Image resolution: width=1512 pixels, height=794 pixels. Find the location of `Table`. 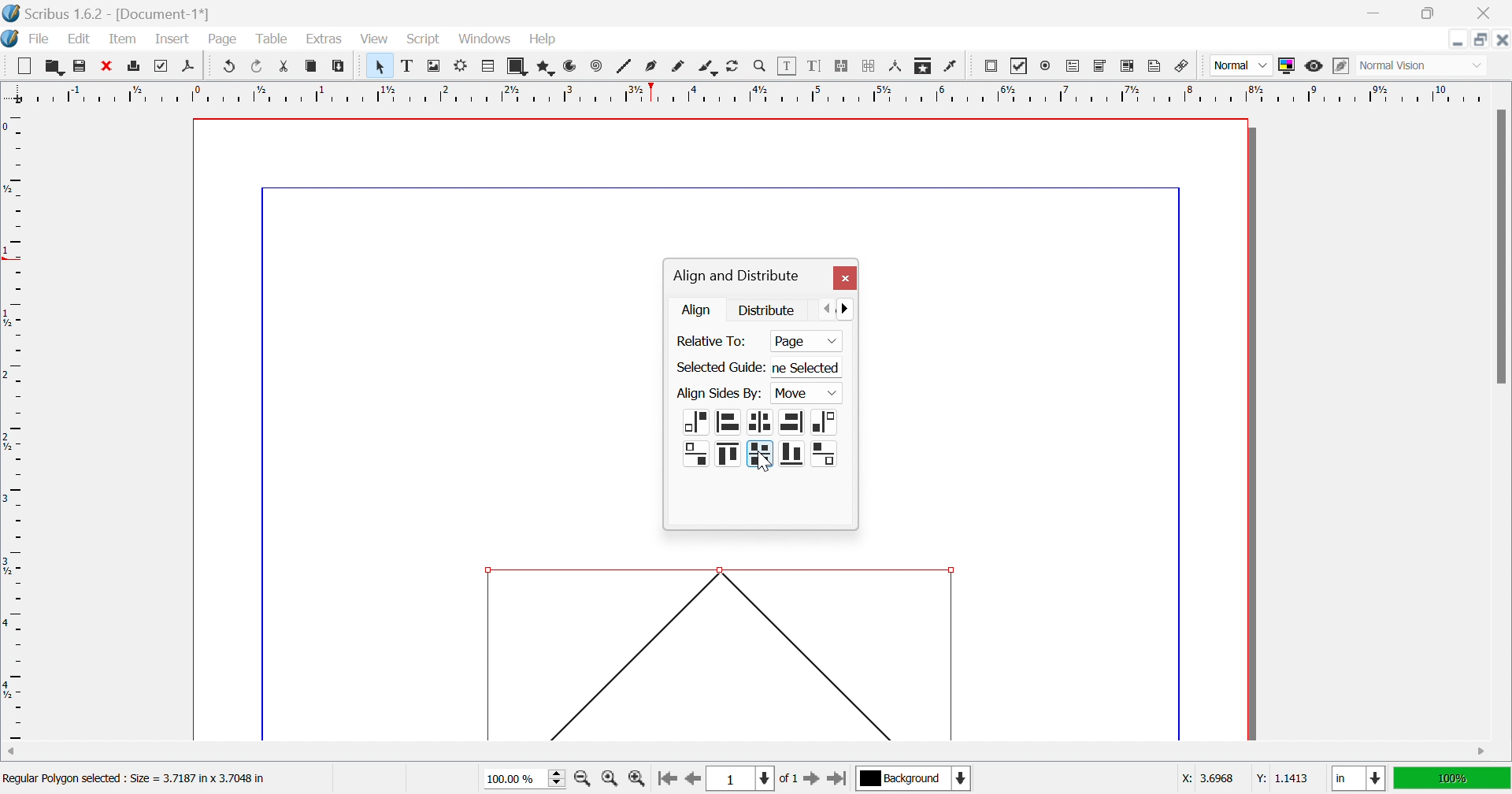

Table is located at coordinates (489, 67).